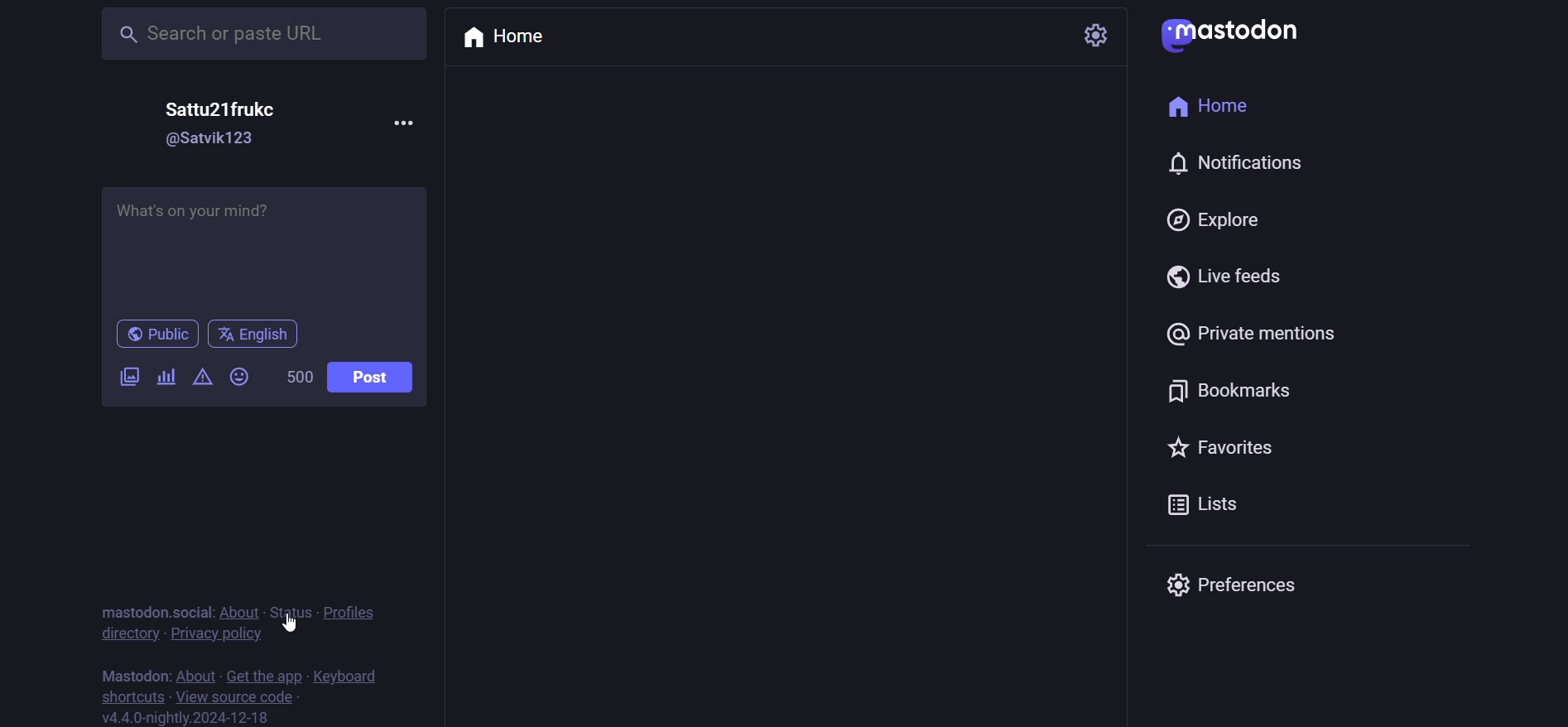 This screenshot has width=1568, height=727. What do you see at coordinates (133, 673) in the screenshot?
I see `mastodon` at bounding box center [133, 673].